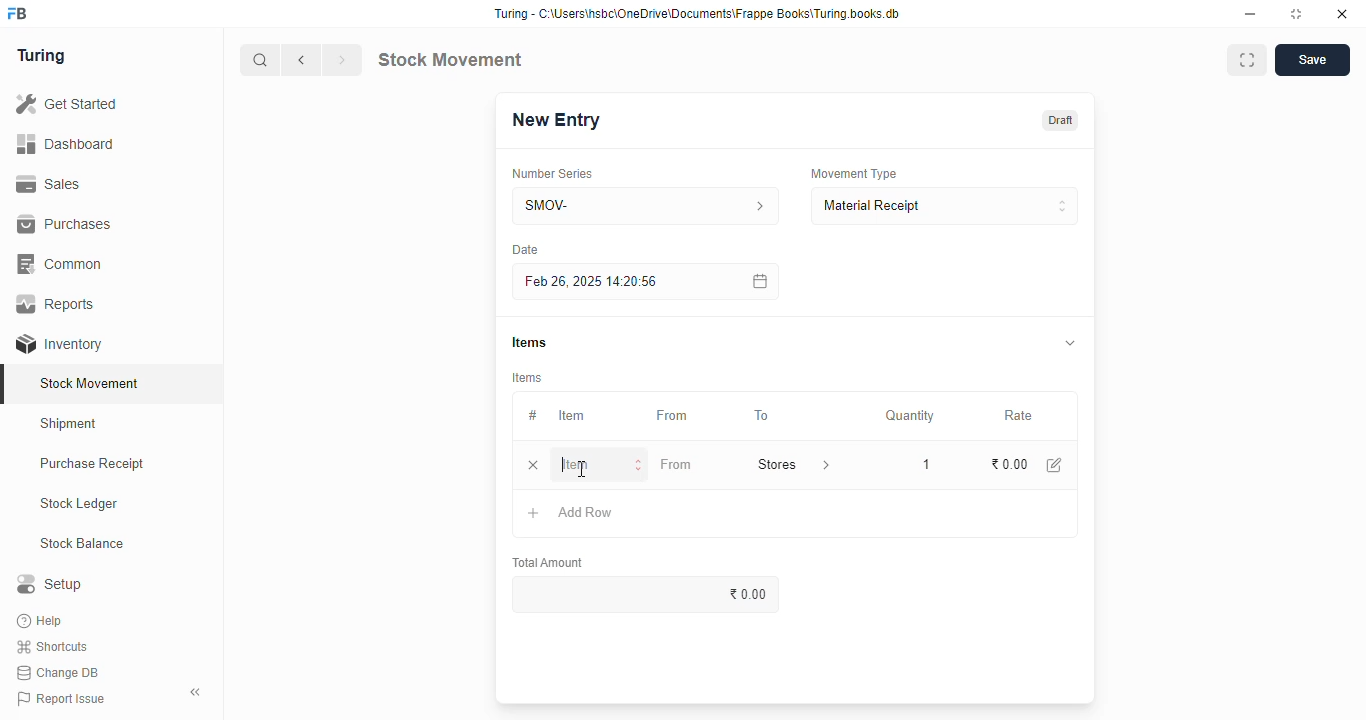  Describe the element at coordinates (534, 514) in the screenshot. I see `add` at that location.